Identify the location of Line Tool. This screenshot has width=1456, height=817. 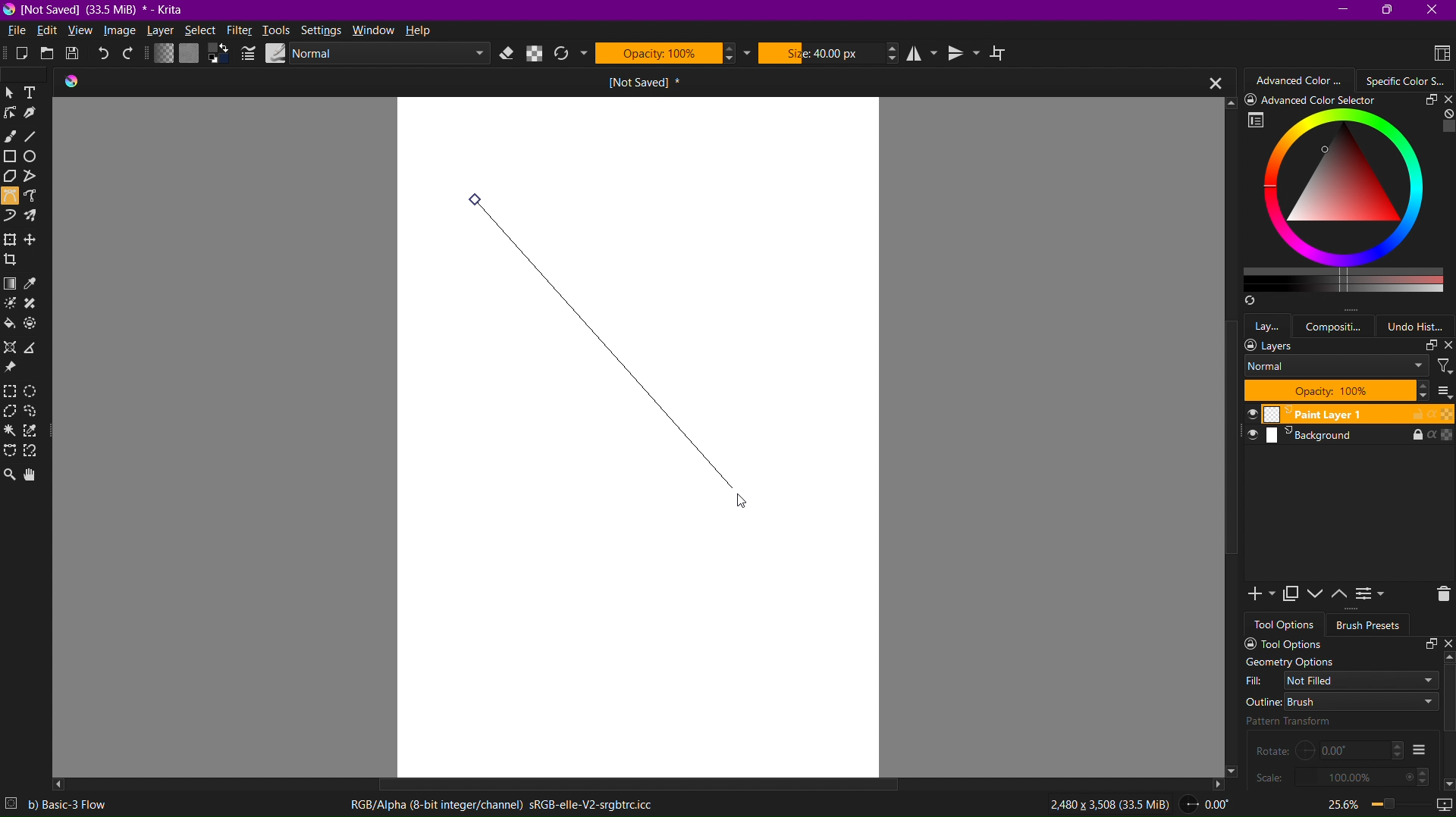
(36, 138).